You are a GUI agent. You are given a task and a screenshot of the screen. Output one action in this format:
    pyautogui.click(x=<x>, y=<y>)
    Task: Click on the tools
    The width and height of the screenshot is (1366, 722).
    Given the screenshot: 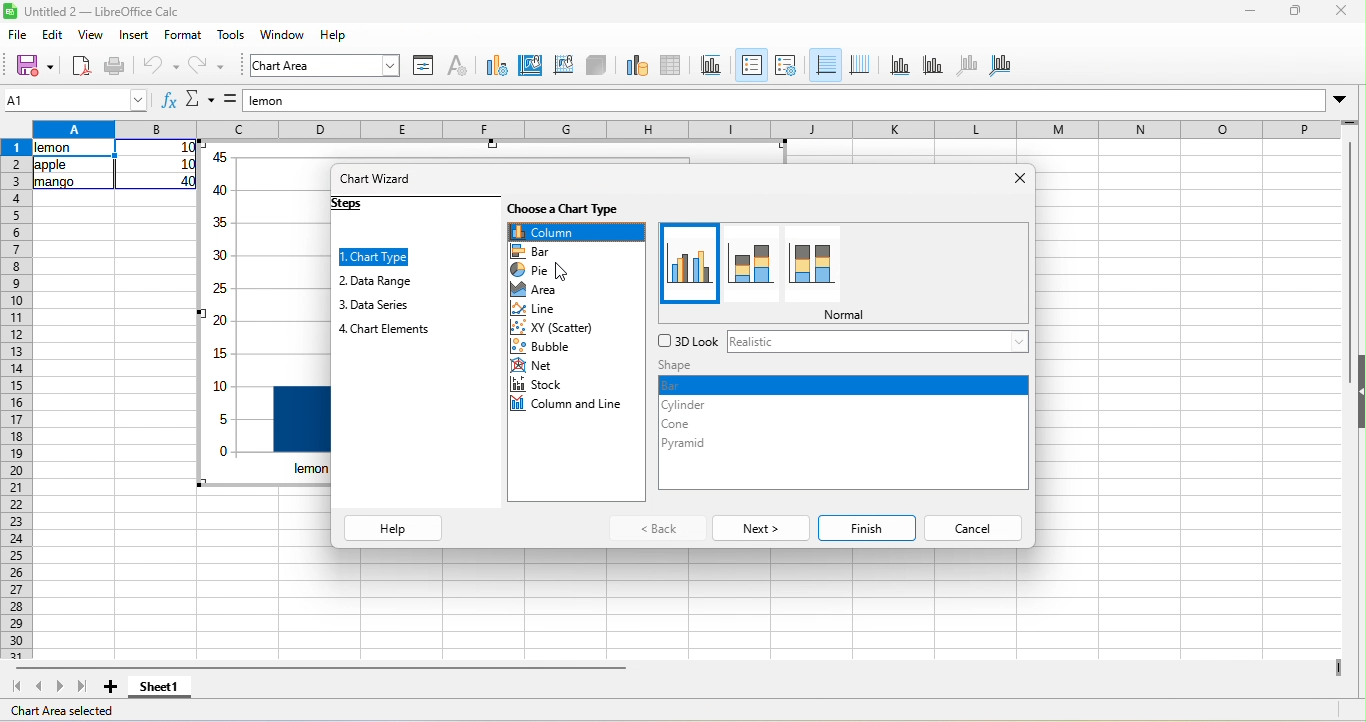 What is the action you would take?
    pyautogui.click(x=231, y=37)
    